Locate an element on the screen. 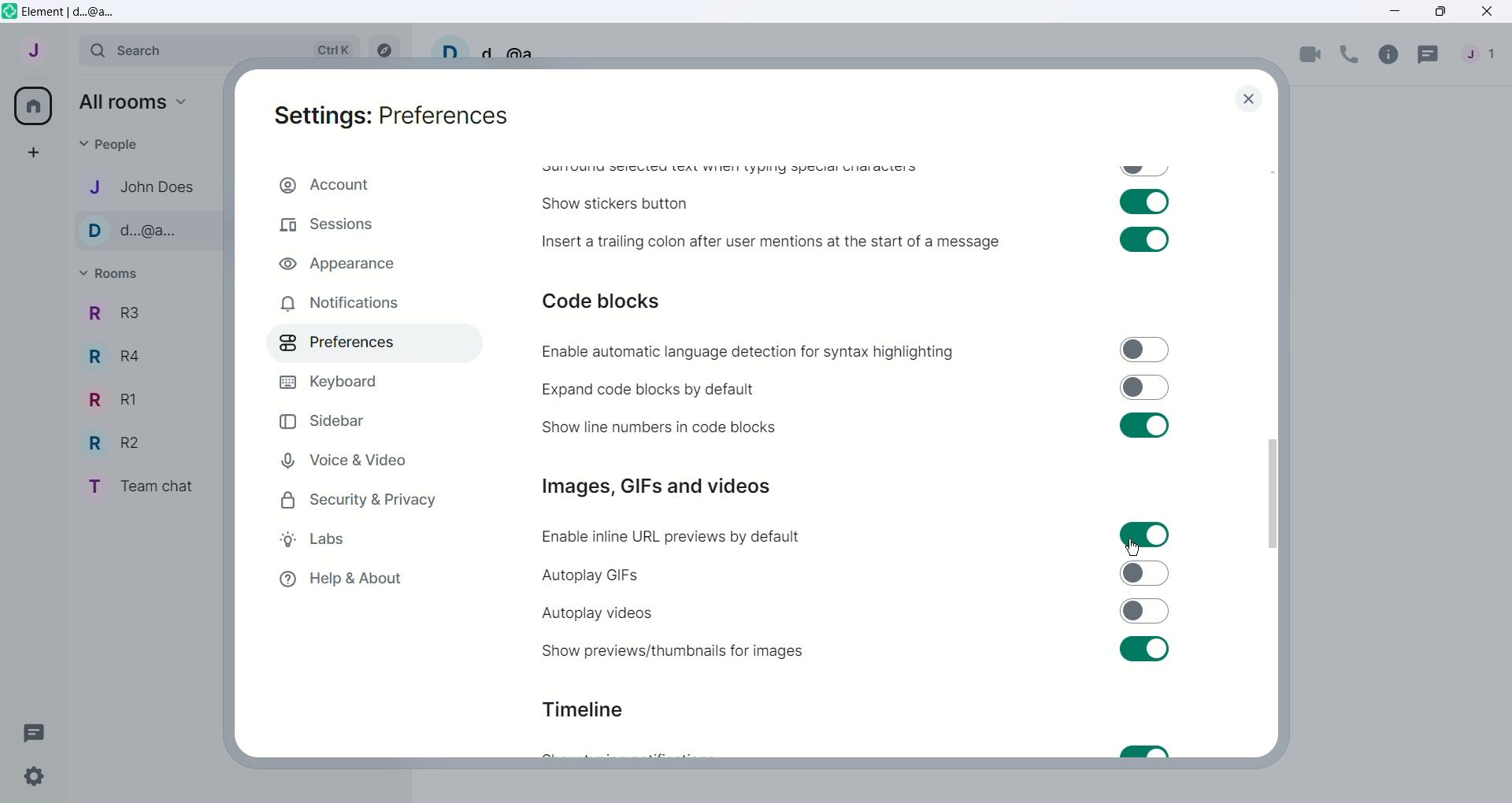 This screenshot has width=1512, height=803. Toggle switch on for insert a trailing colon after user mentions at the start of a message is located at coordinates (1144, 239).